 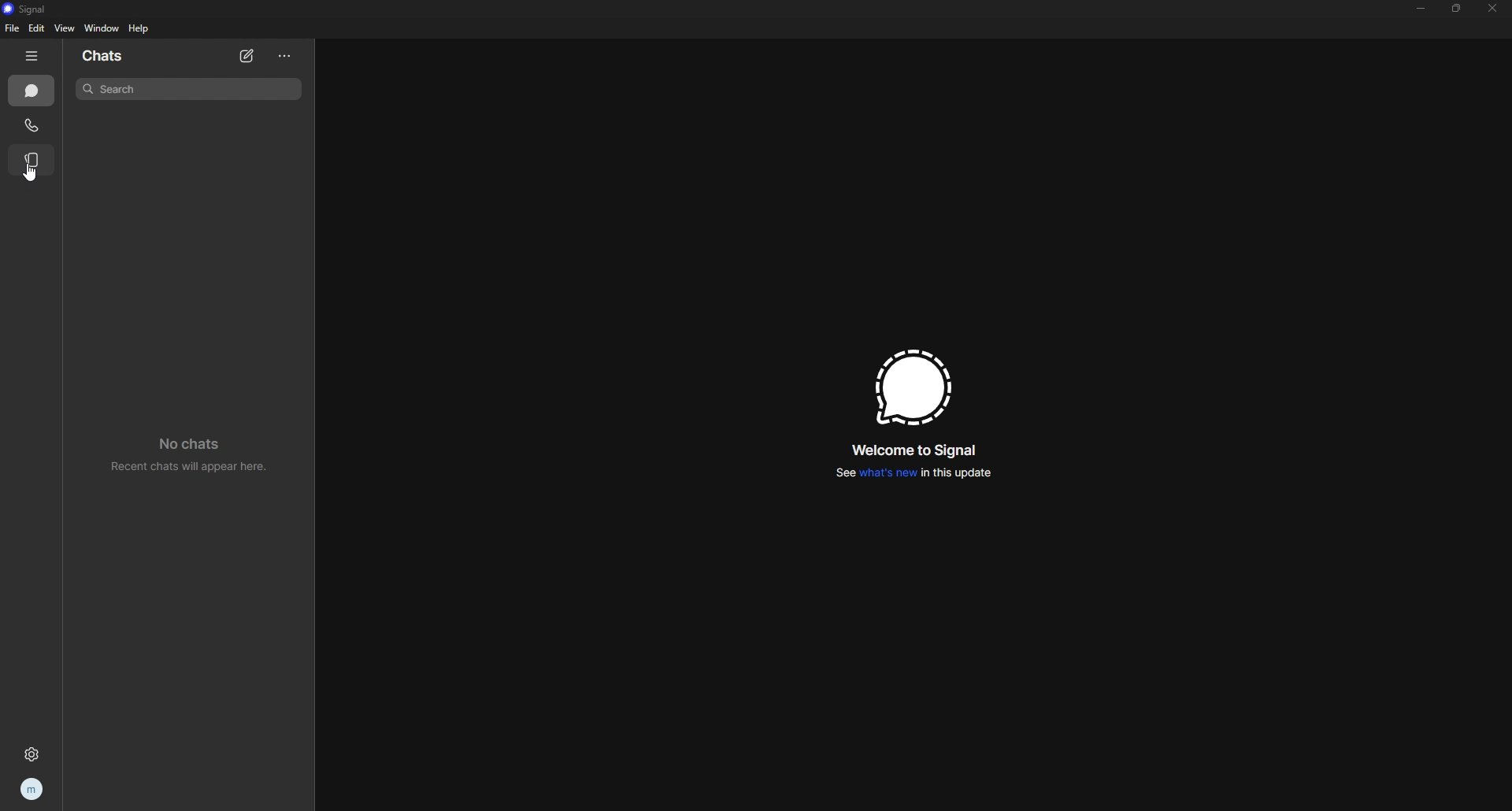 I want to click on cursor, so click(x=30, y=175).